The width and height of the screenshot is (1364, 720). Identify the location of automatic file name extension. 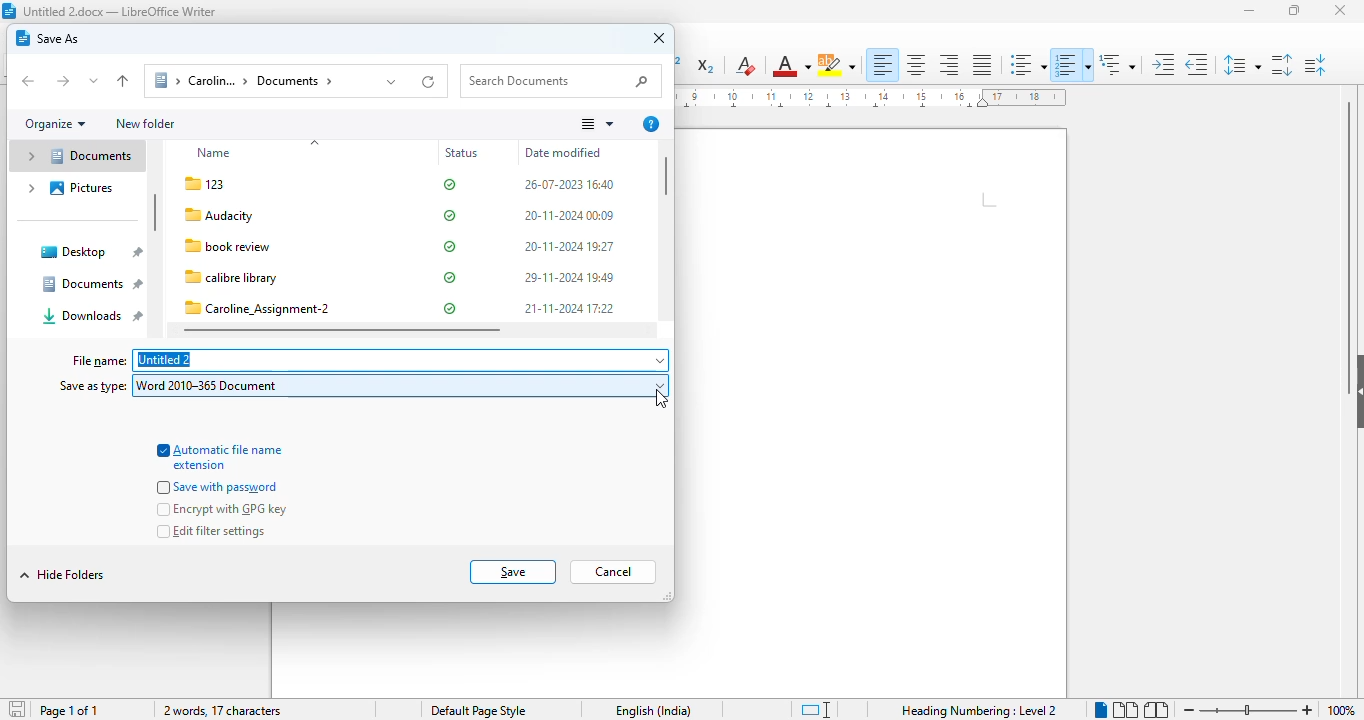
(220, 456).